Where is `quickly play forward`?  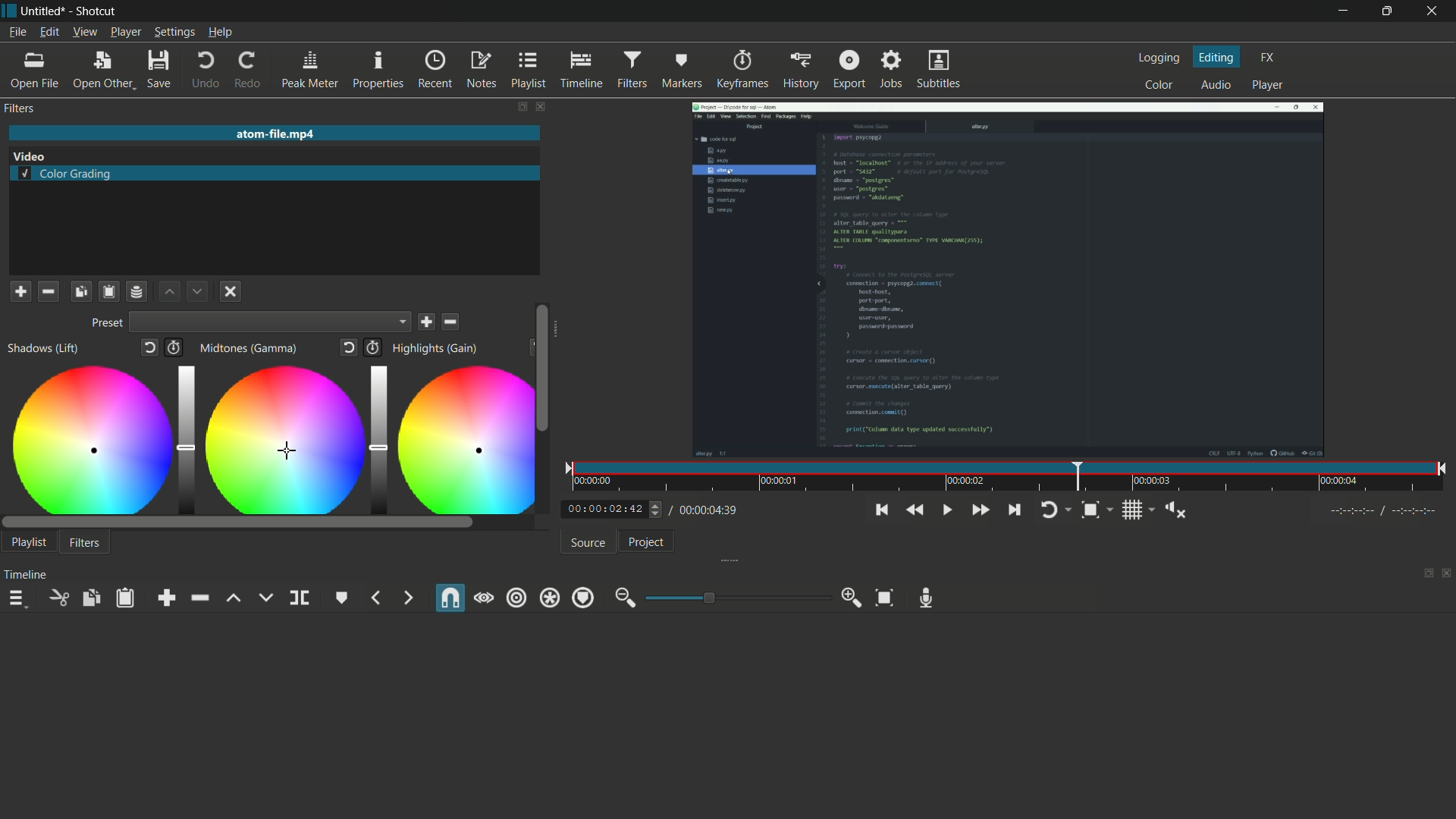 quickly play forward is located at coordinates (981, 510).